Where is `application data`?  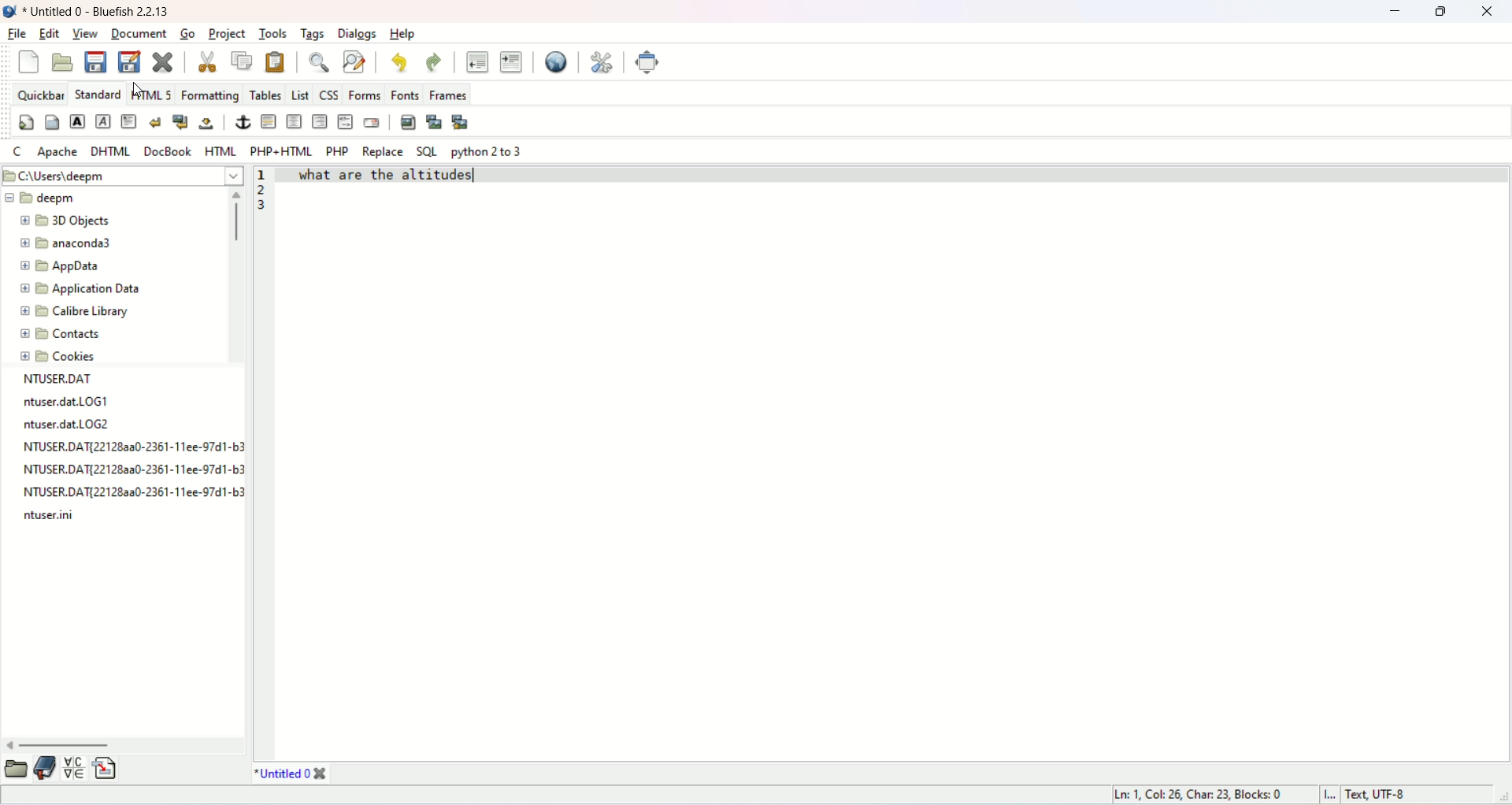
application data is located at coordinates (83, 289).